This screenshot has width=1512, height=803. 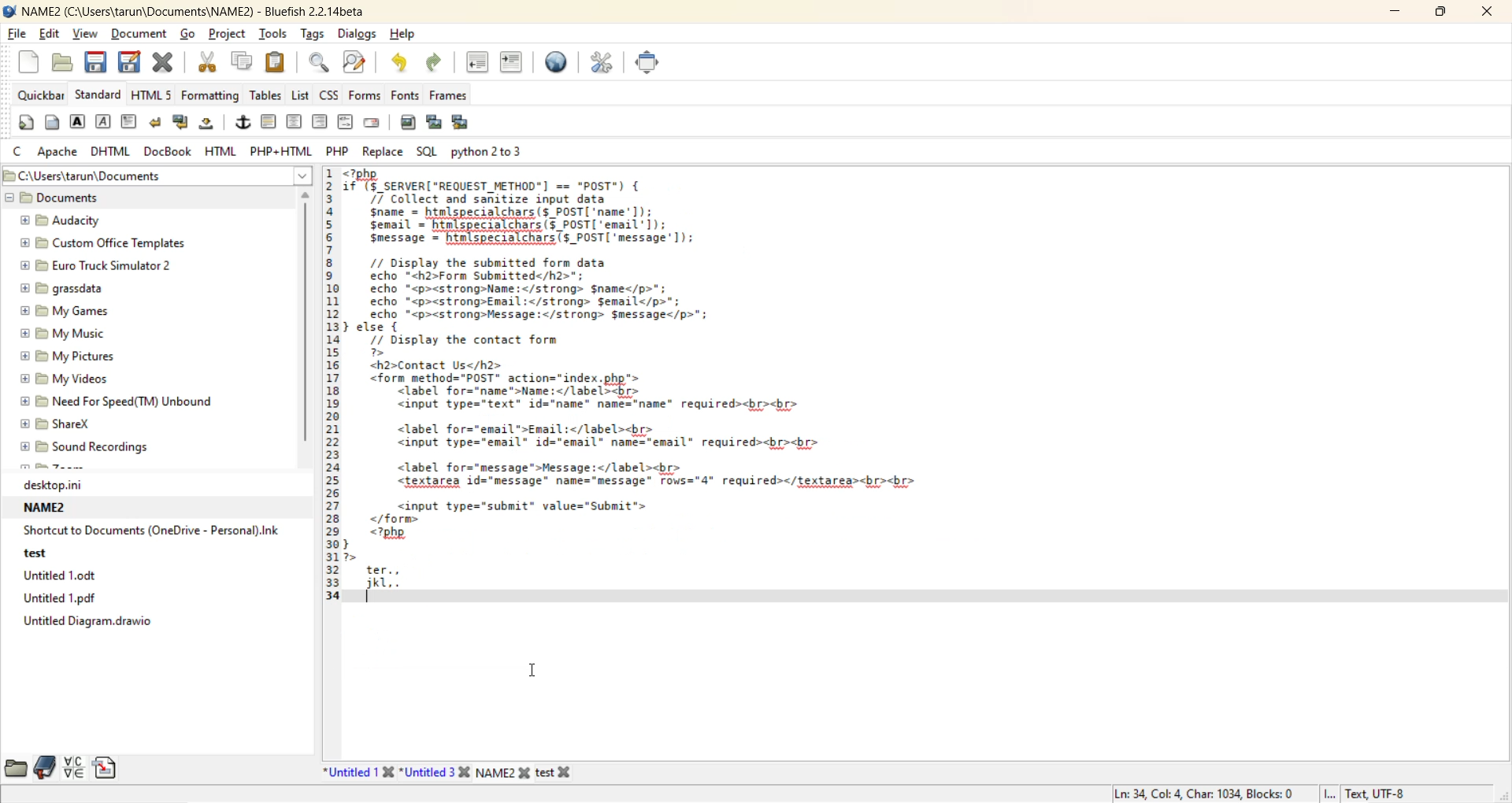 What do you see at coordinates (1436, 14) in the screenshot?
I see `maximize` at bounding box center [1436, 14].